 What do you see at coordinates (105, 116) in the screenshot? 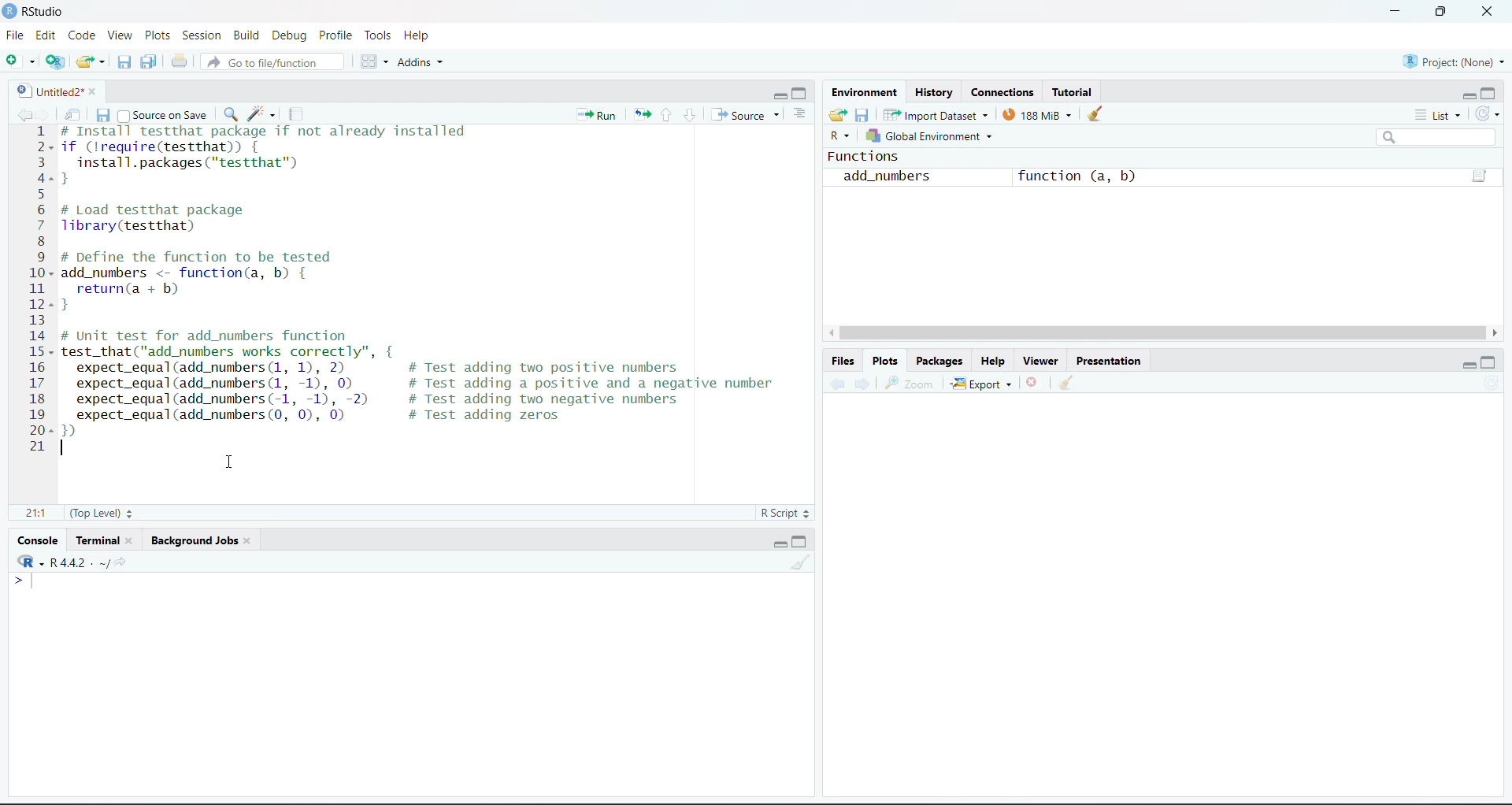
I see `save current document` at bounding box center [105, 116].